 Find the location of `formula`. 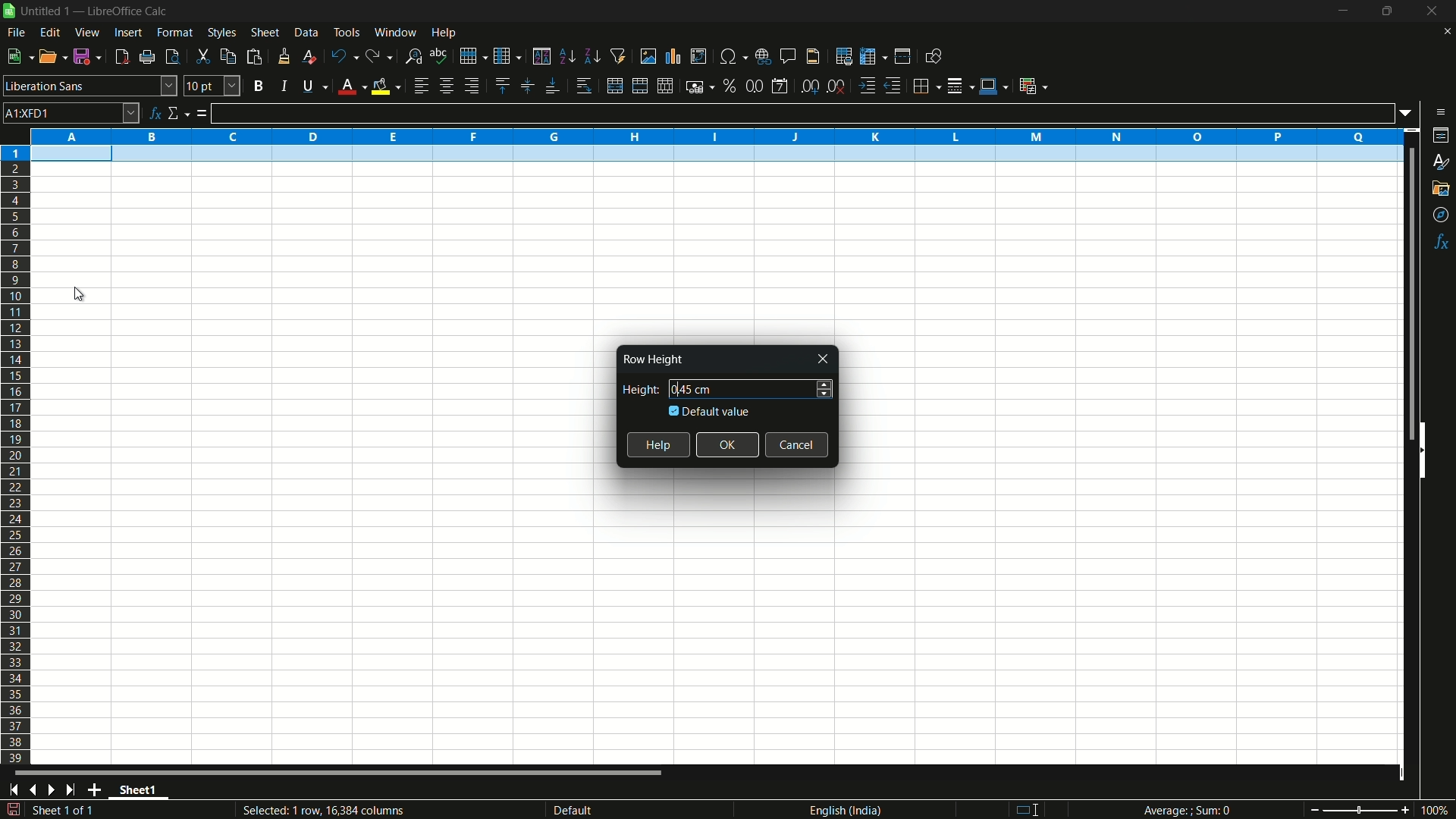

formula is located at coordinates (202, 115).